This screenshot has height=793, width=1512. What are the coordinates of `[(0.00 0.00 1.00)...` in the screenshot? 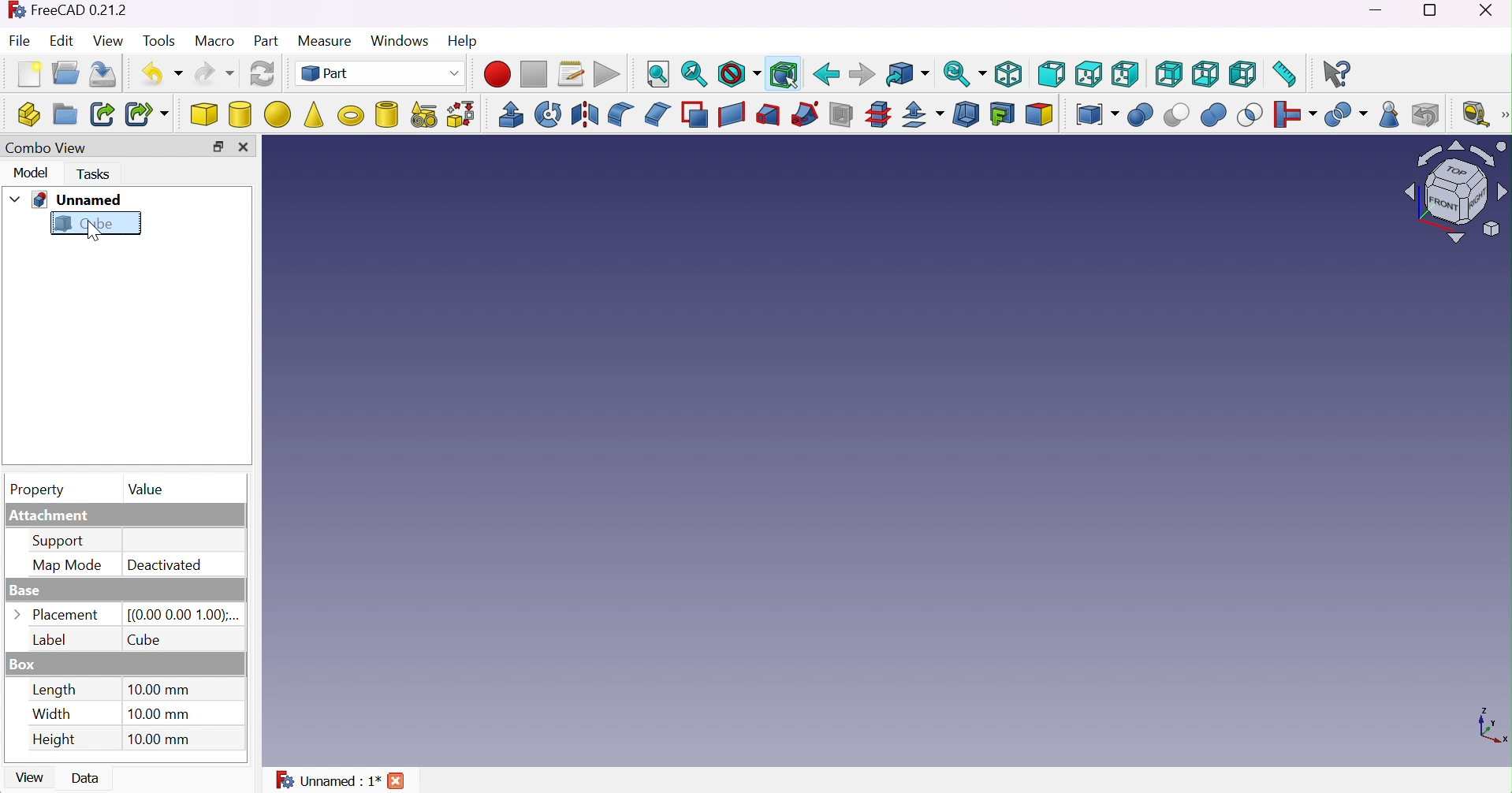 It's located at (184, 614).